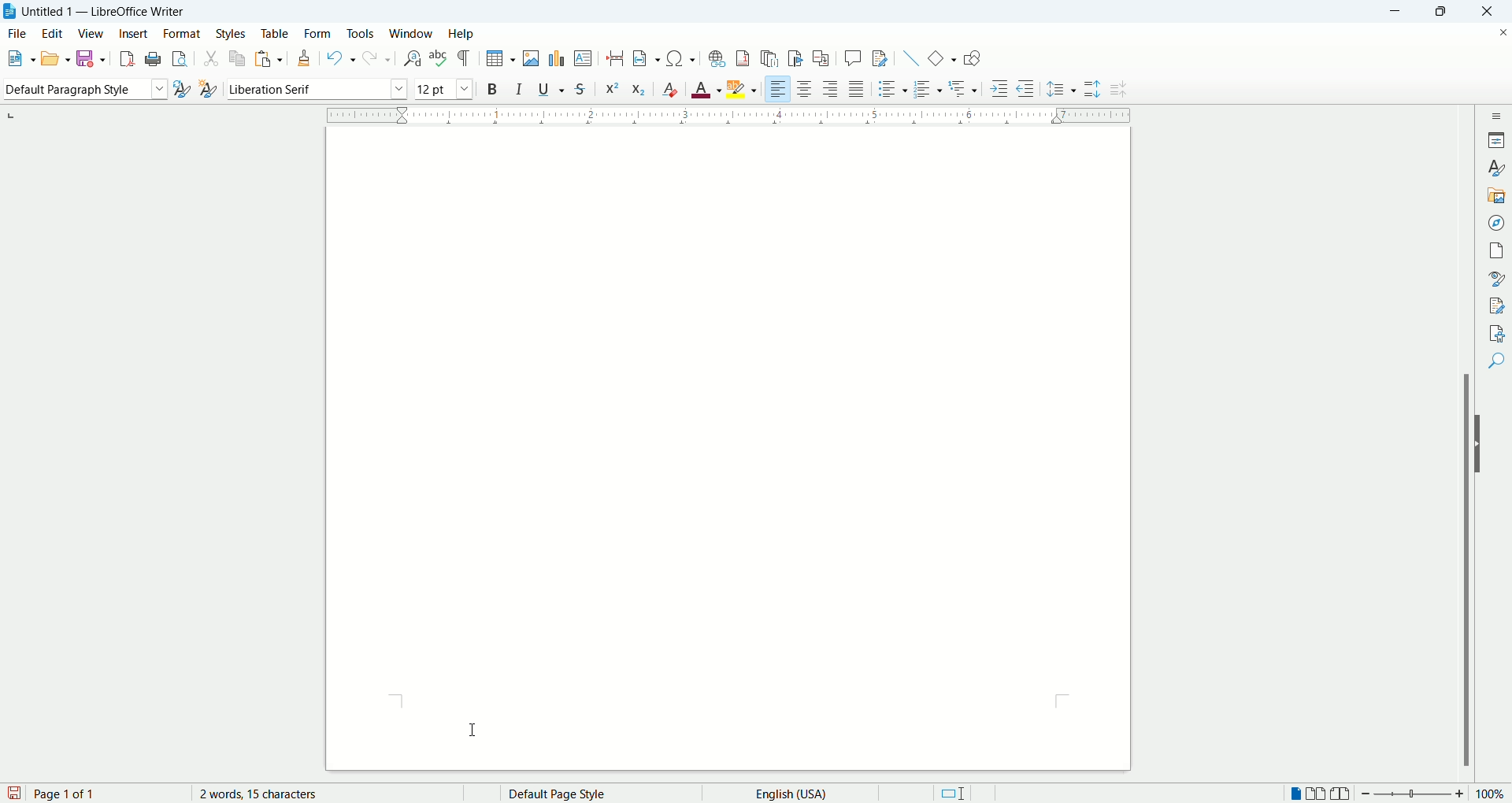  What do you see at coordinates (708, 89) in the screenshot?
I see `text color` at bounding box center [708, 89].